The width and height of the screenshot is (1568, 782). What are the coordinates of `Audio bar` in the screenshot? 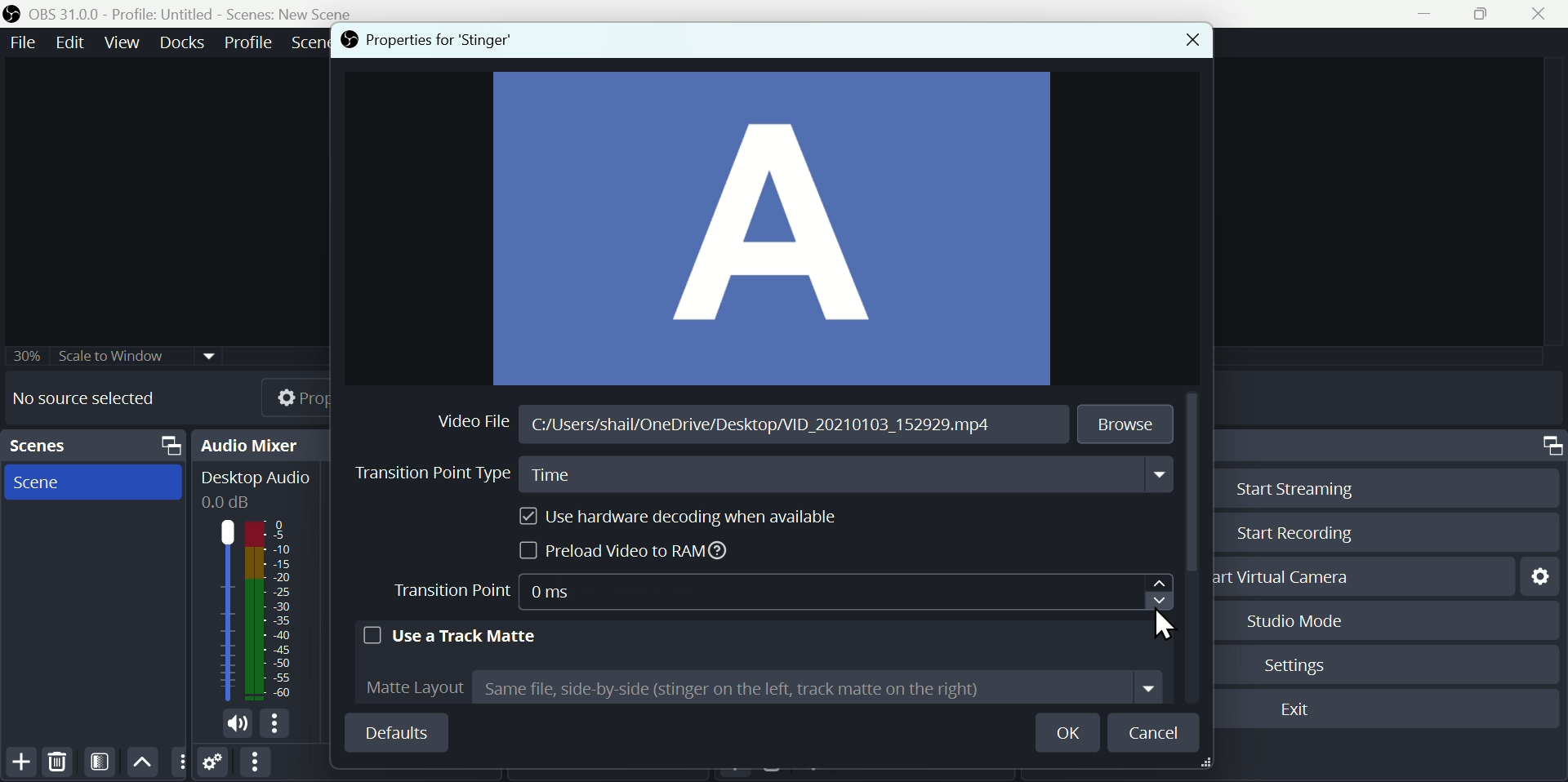 It's located at (253, 610).